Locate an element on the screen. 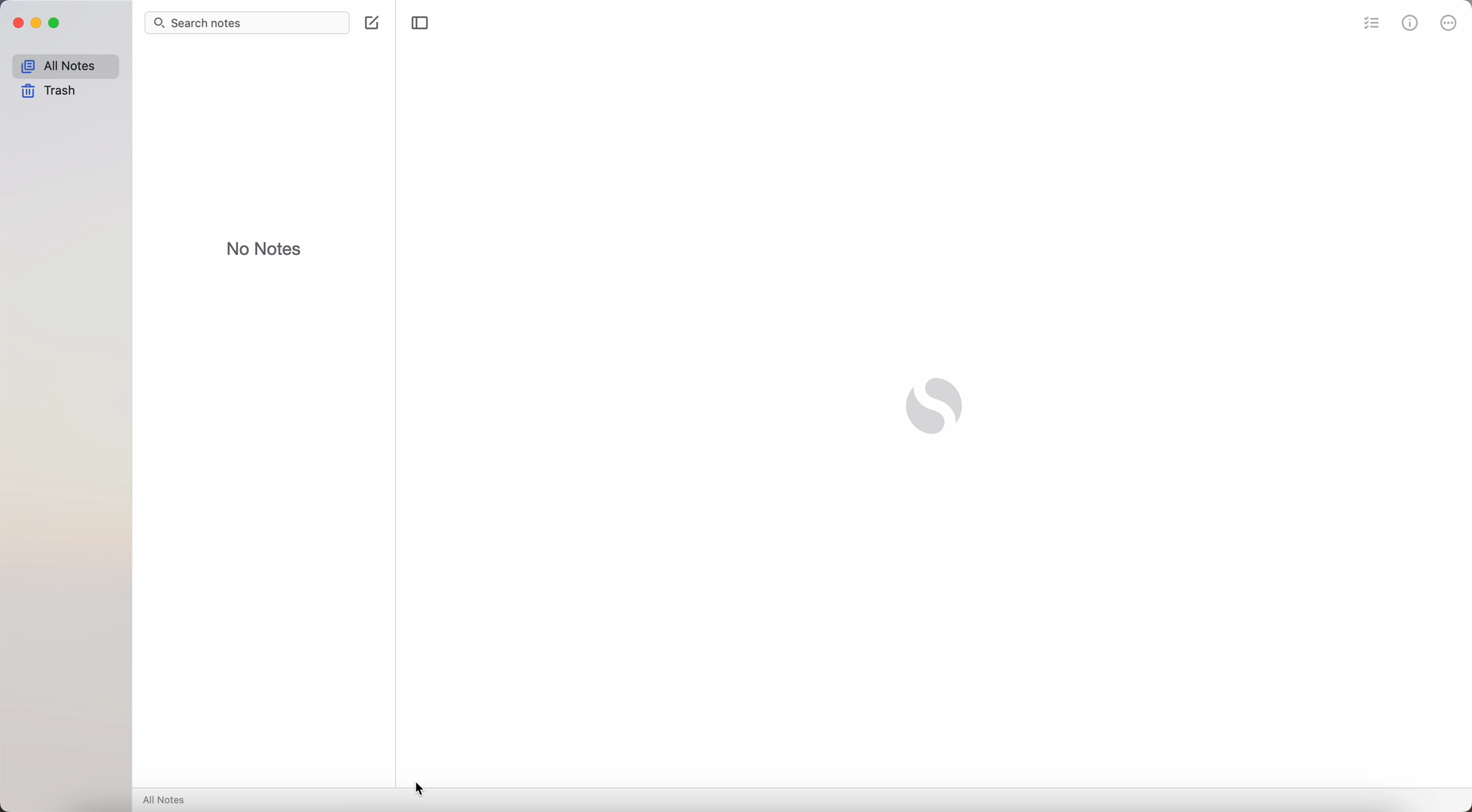 The image size is (1472, 812). metrics is located at coordinates (1411, 22).